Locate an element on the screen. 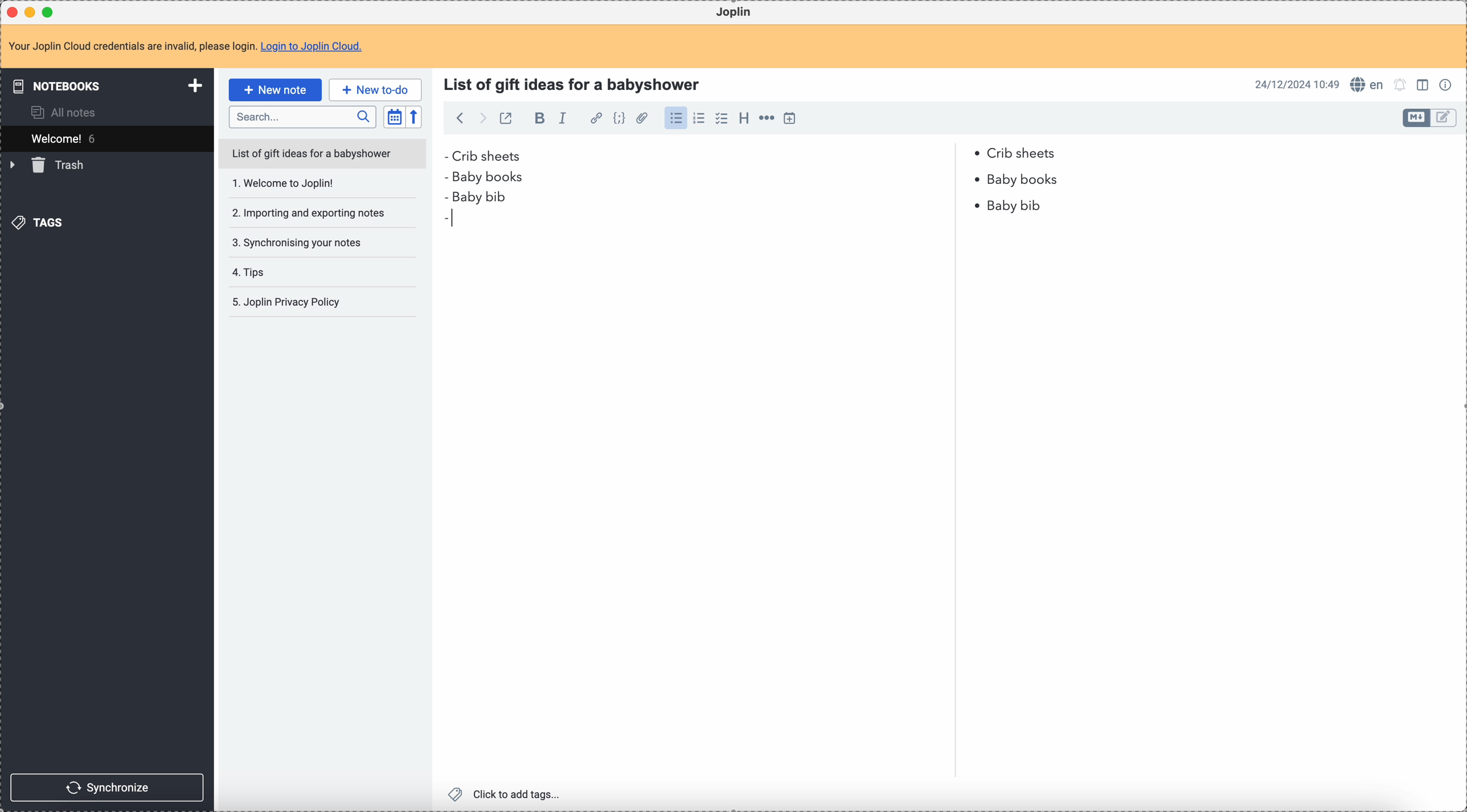 This screenshot has height=812, width=1467. bullet point is located at coordinates (977, 180).